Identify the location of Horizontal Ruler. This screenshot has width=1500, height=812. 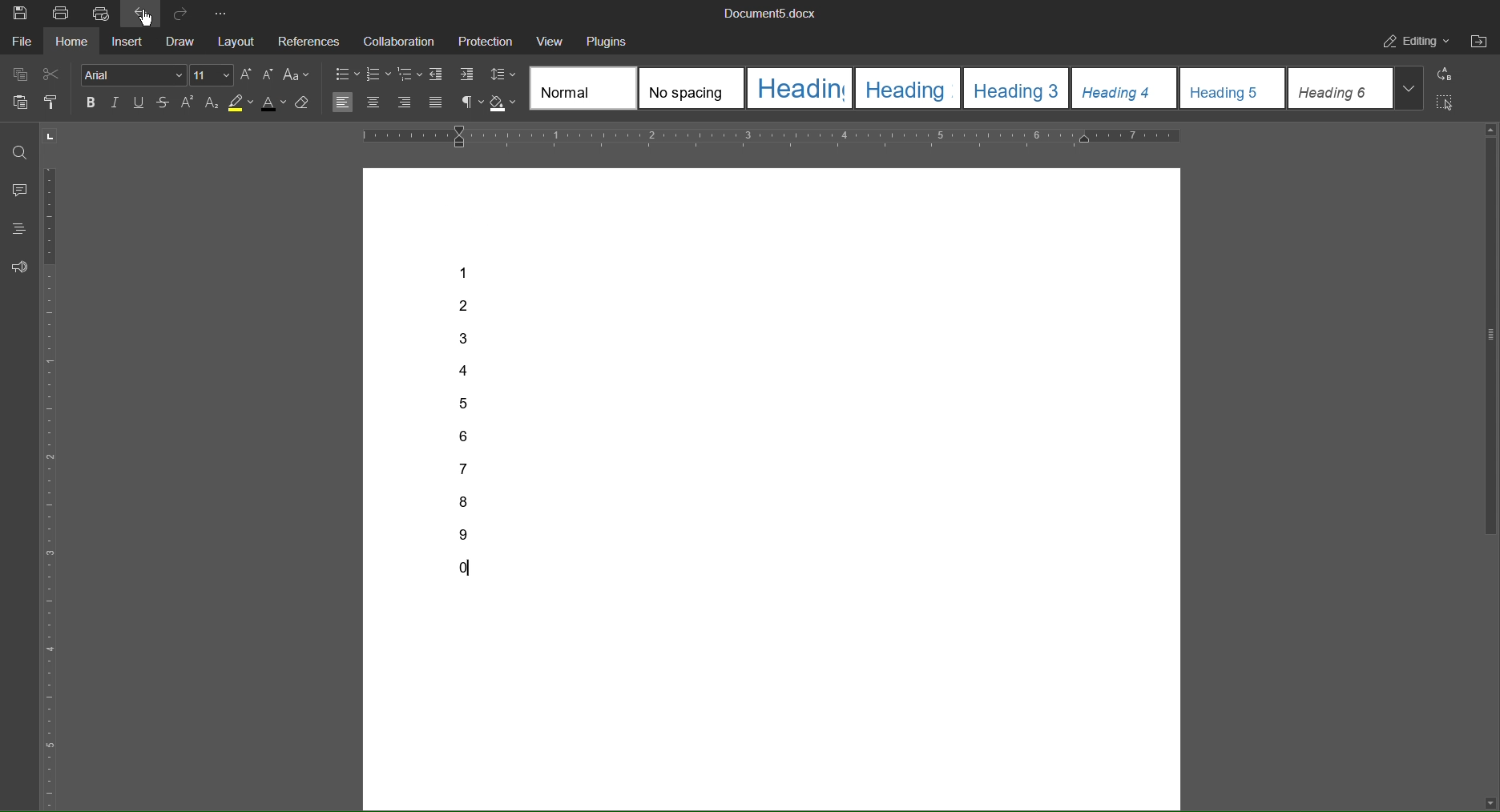
(775, 135).